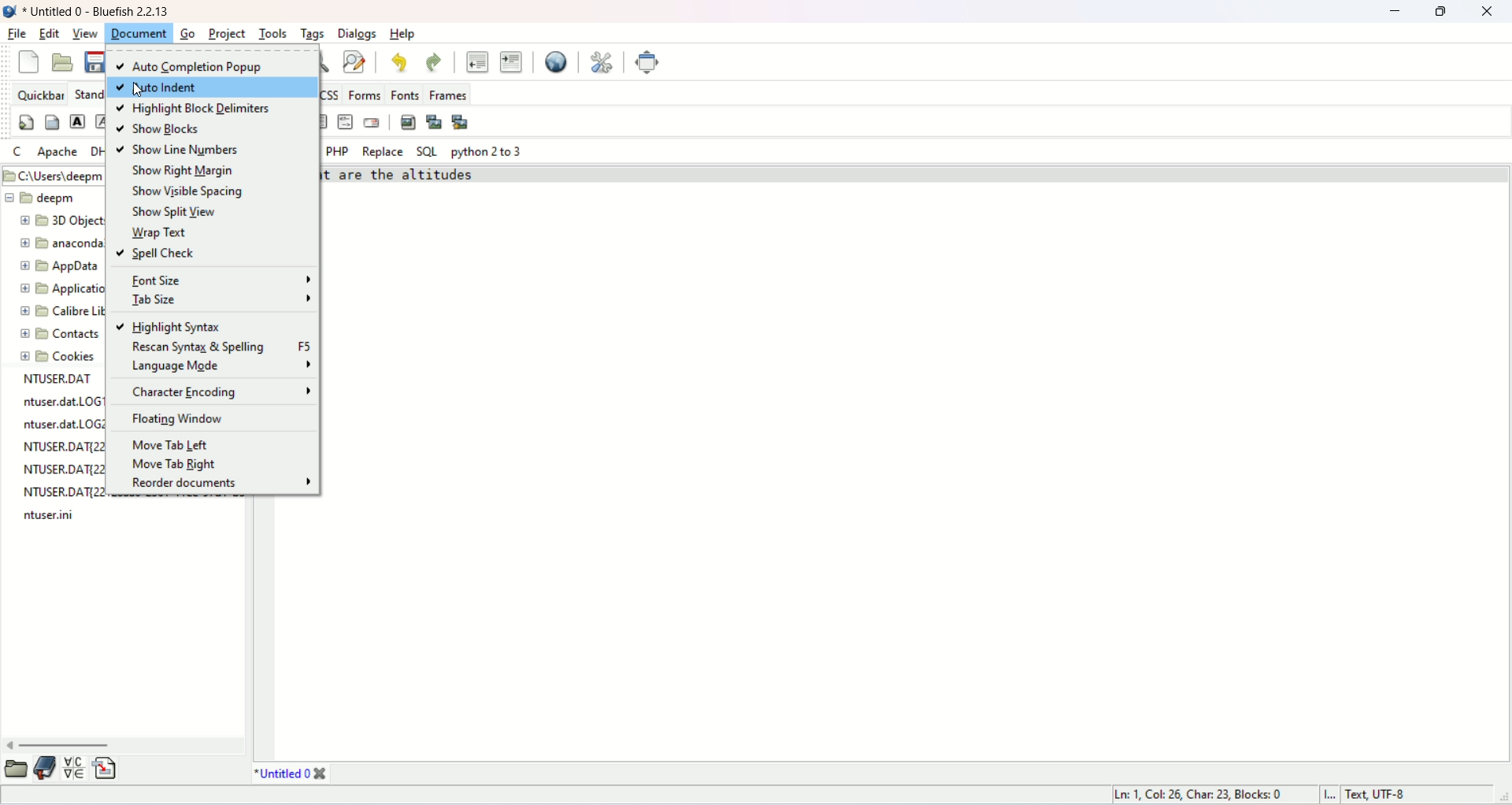 The image size is (1512, 805). I want to click on body, so click(50, 124).